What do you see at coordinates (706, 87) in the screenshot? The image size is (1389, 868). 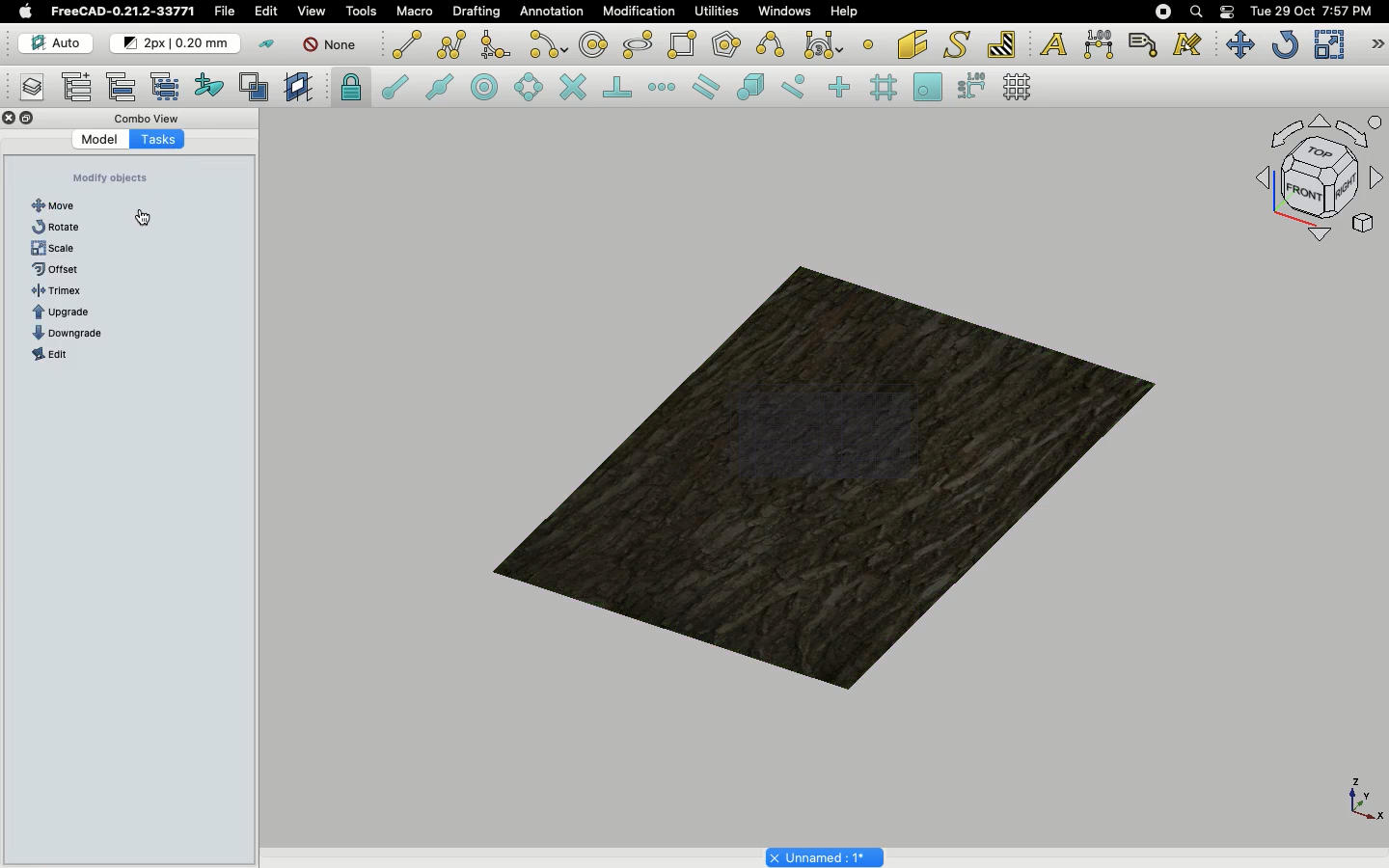 I see `Snap parallel` at bounding box center [706, 87].